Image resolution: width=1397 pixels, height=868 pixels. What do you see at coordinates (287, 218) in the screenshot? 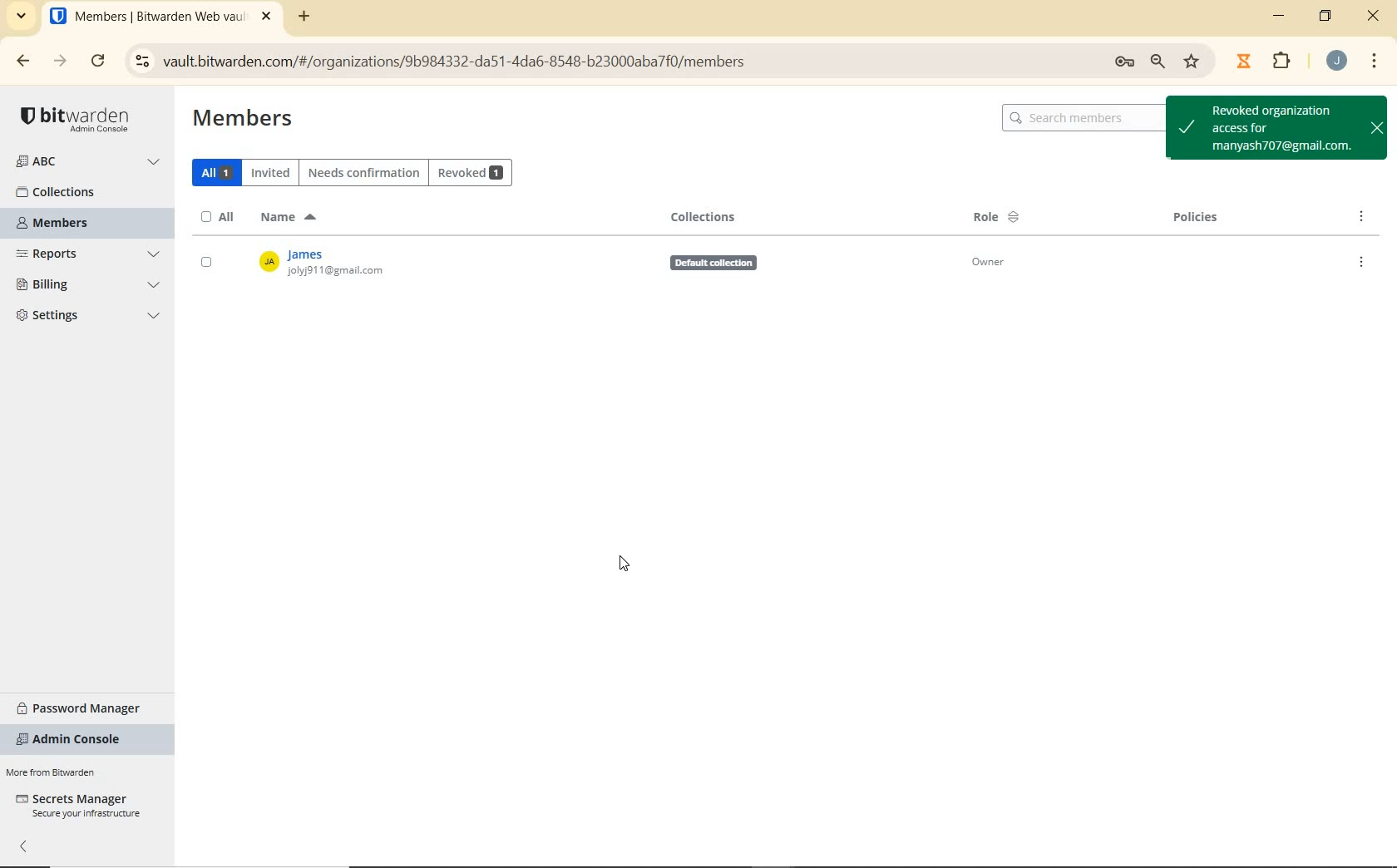
I see `NAME` at bounding box center [287, 218].